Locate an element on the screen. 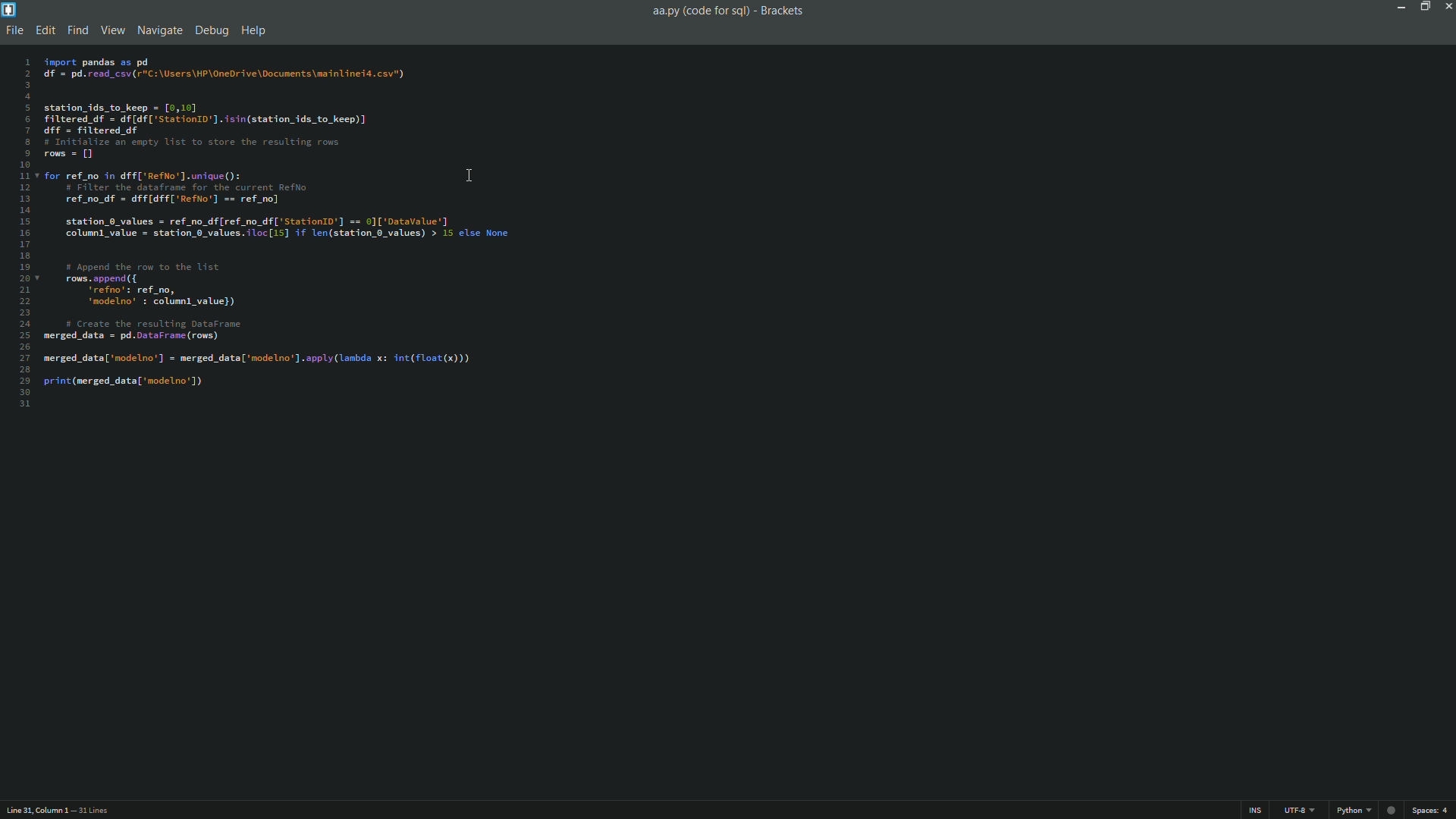 Image resolution: width=1456 pixels, height=819 pixels. text cursor is located at coordinates (47, 405).